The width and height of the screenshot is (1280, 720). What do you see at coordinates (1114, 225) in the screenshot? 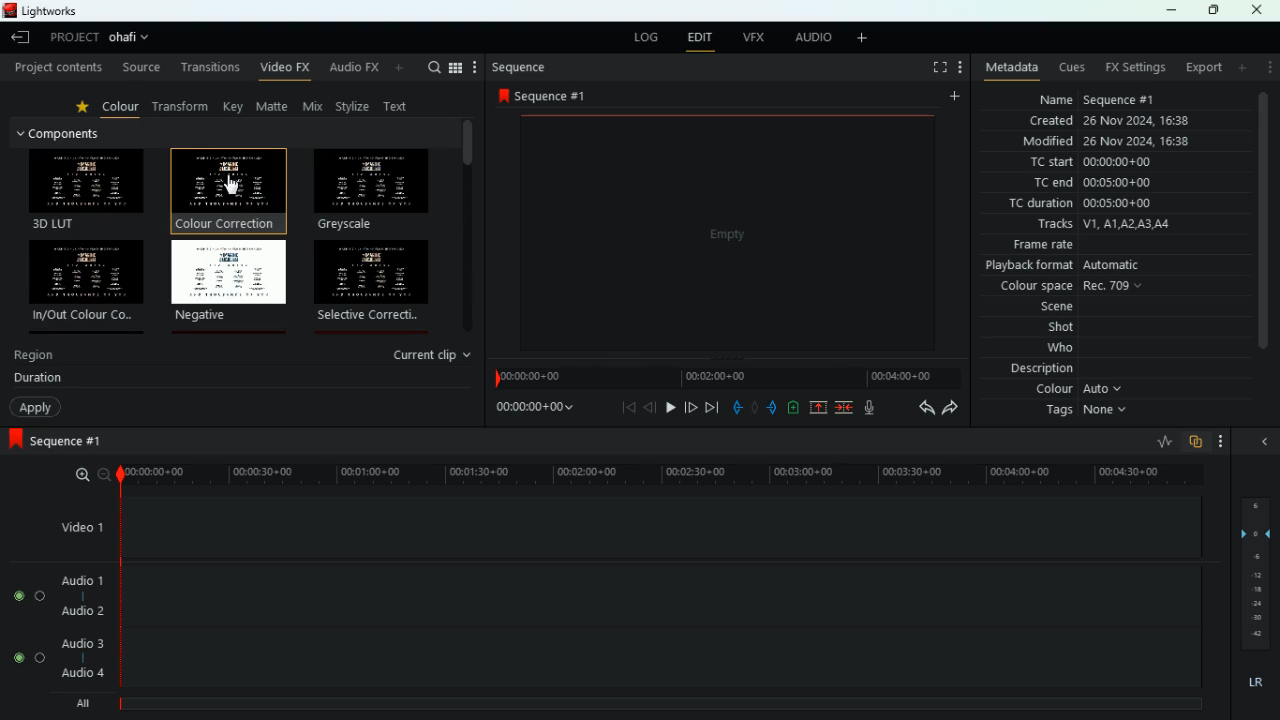
I see `tracks` at bounding box center [1114, 225].